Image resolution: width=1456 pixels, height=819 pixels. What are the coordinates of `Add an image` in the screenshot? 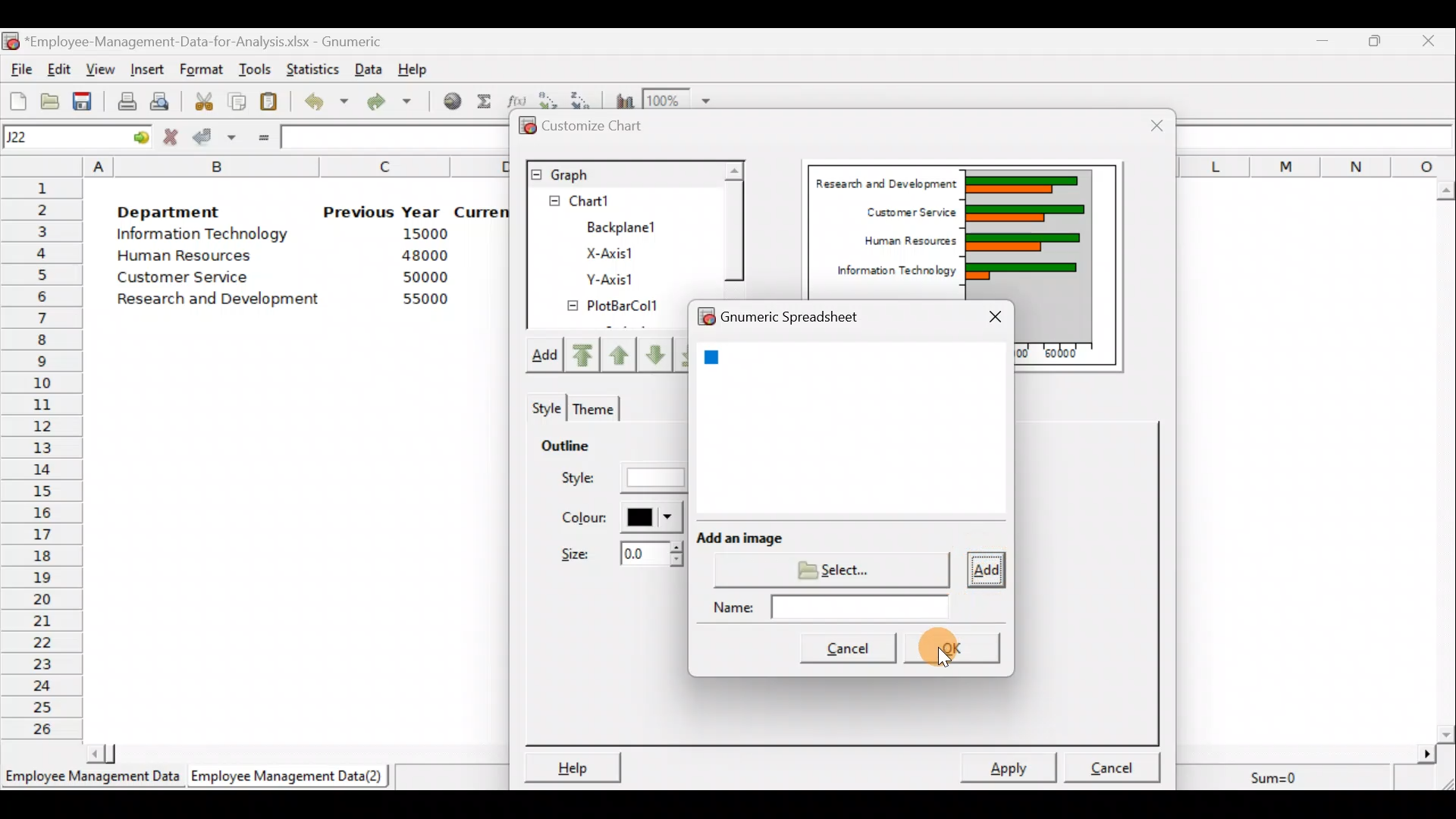 It's located at (741, 534).